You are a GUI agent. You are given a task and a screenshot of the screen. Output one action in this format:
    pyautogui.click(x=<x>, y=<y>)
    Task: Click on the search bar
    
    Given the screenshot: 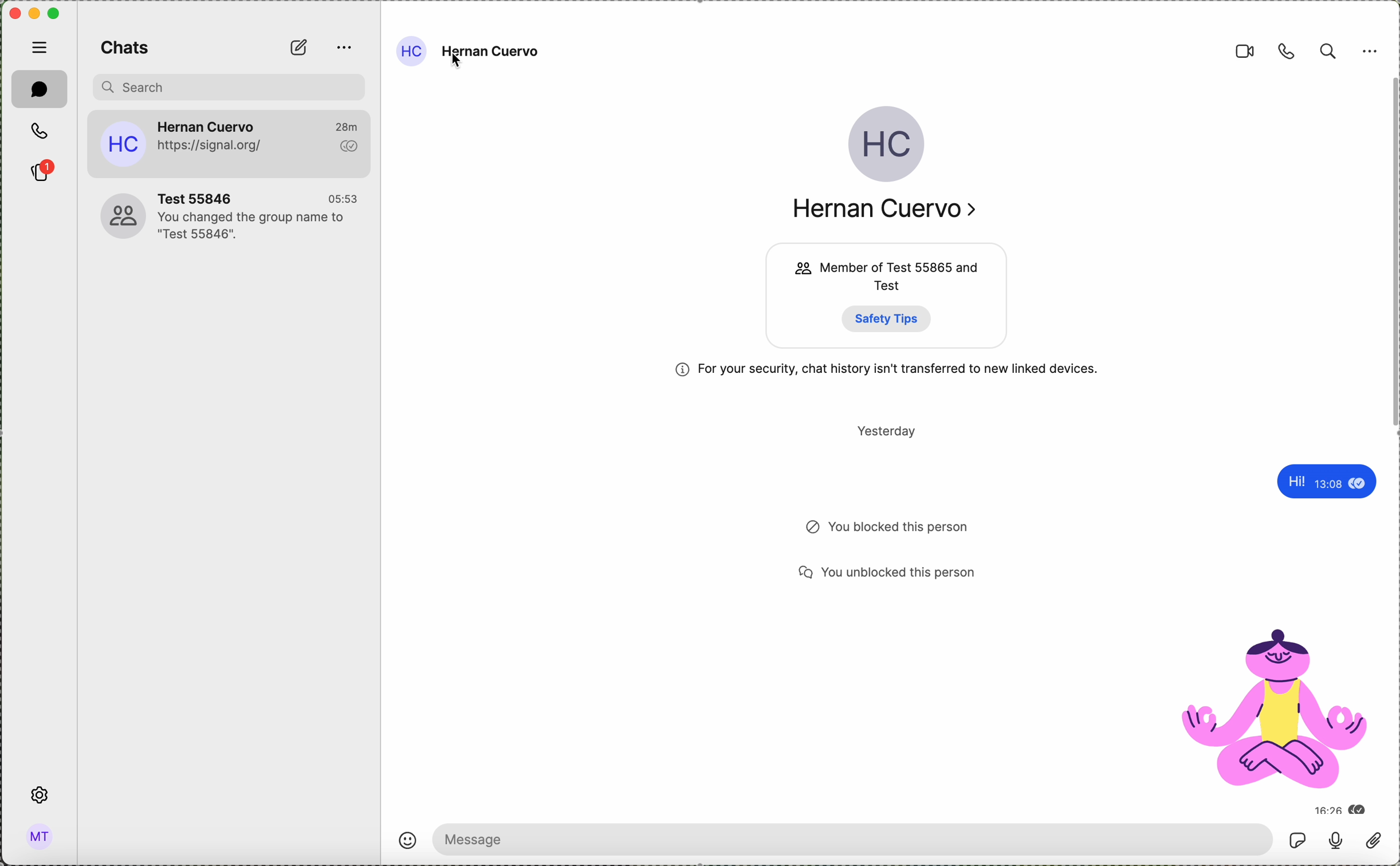 What is the action you would take?
    pyautogui.click(x=229, y=88)
    